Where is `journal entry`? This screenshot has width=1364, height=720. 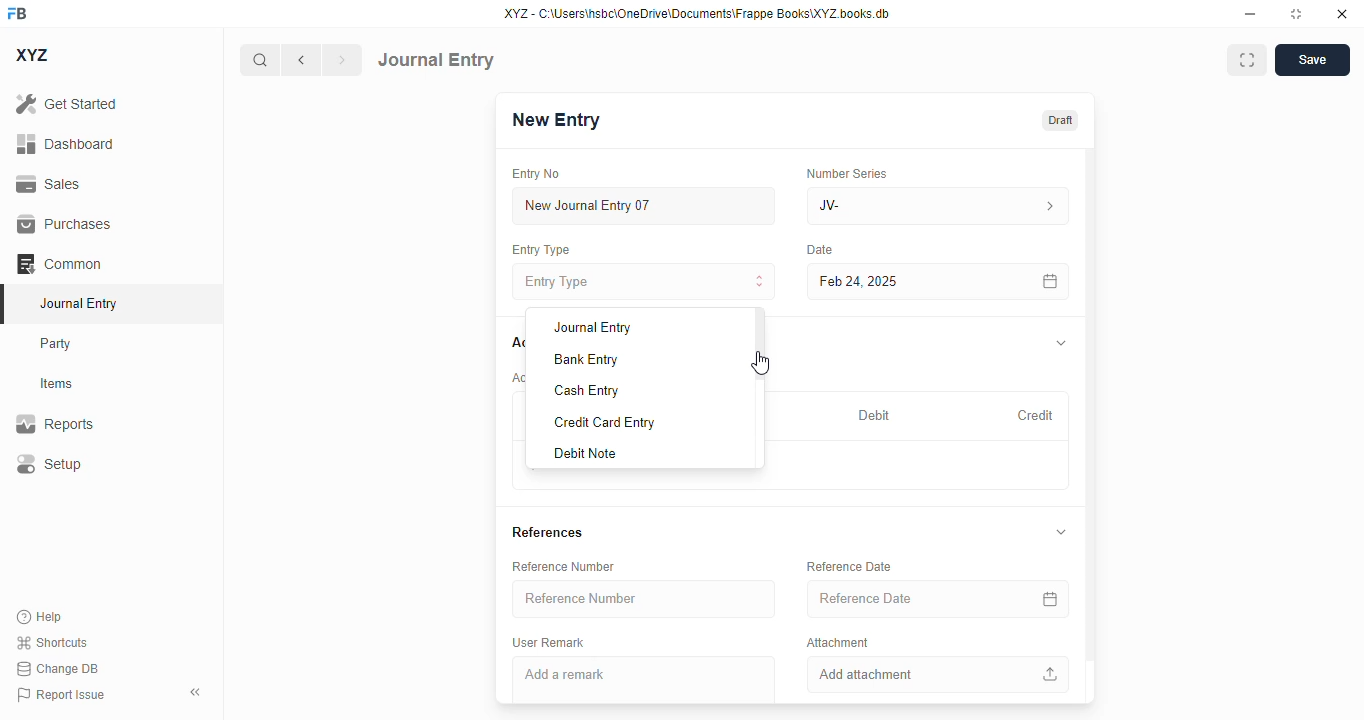 journal entry is located at coordinates (80, 303).